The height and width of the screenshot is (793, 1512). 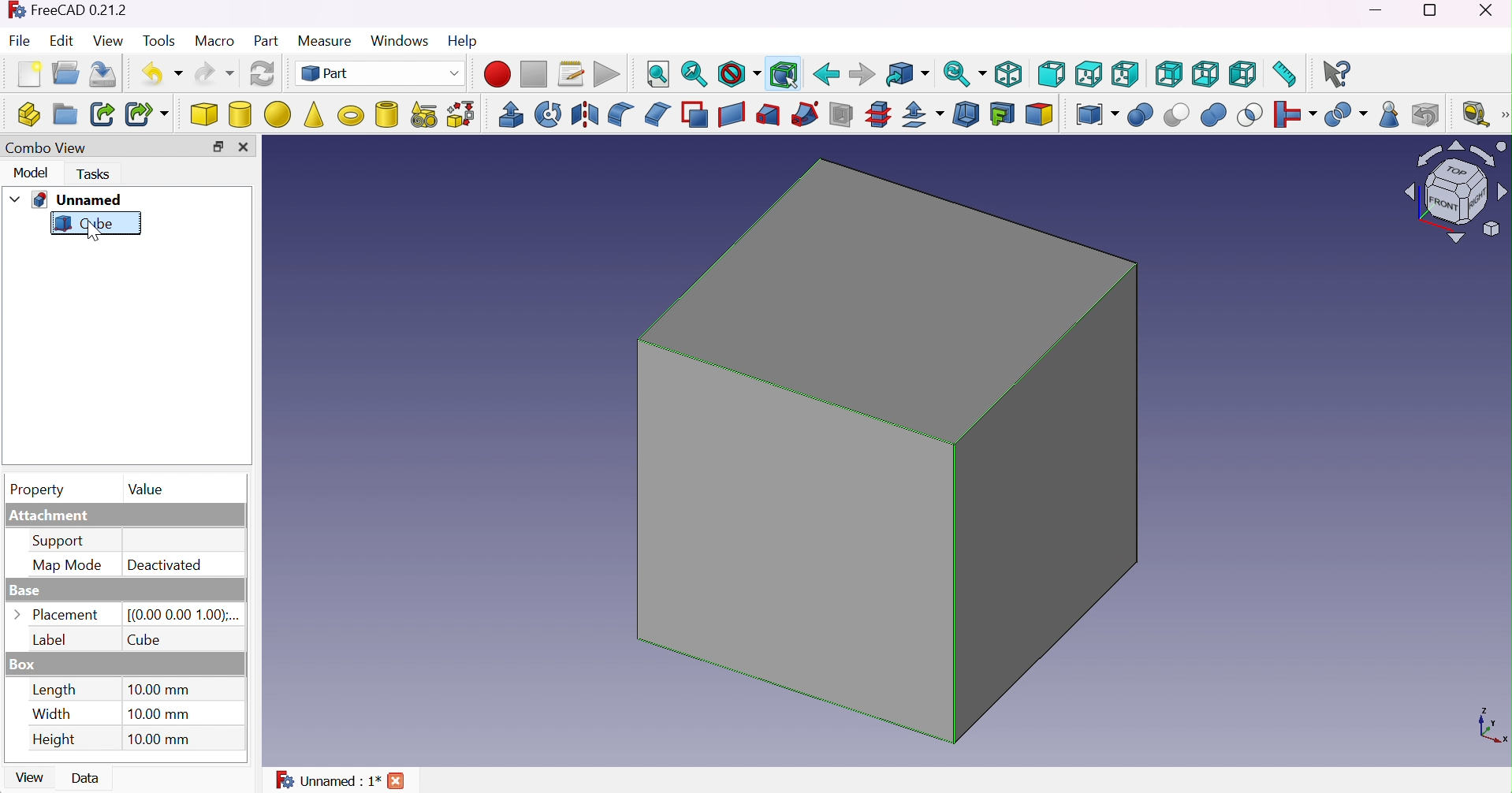 What do you see at coordinates (608, 76) in the screenshot?
I see `Execute macro` at bounding box center [608, 76].